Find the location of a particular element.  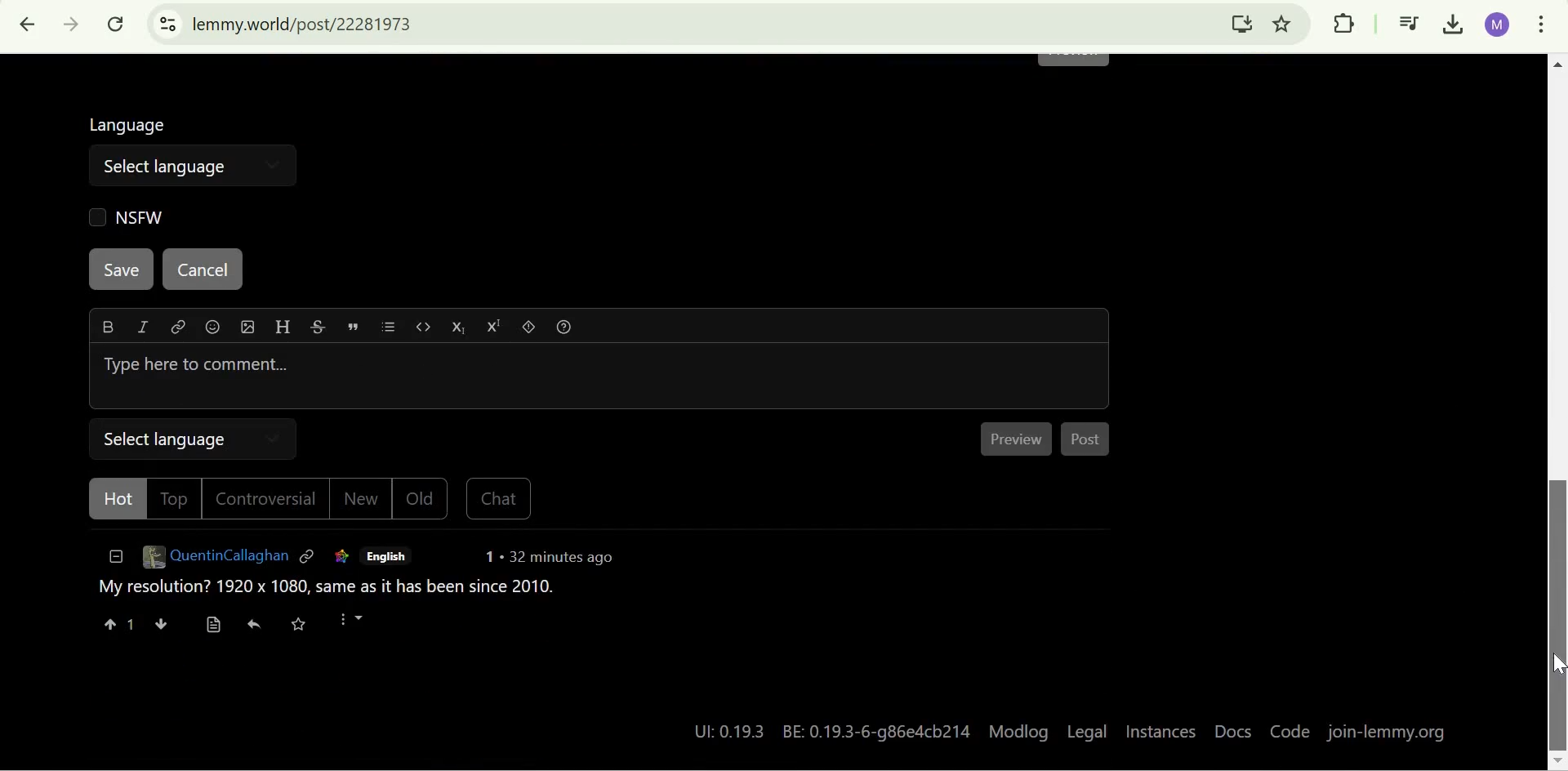

Cancel is located at coordinates (201, 270).